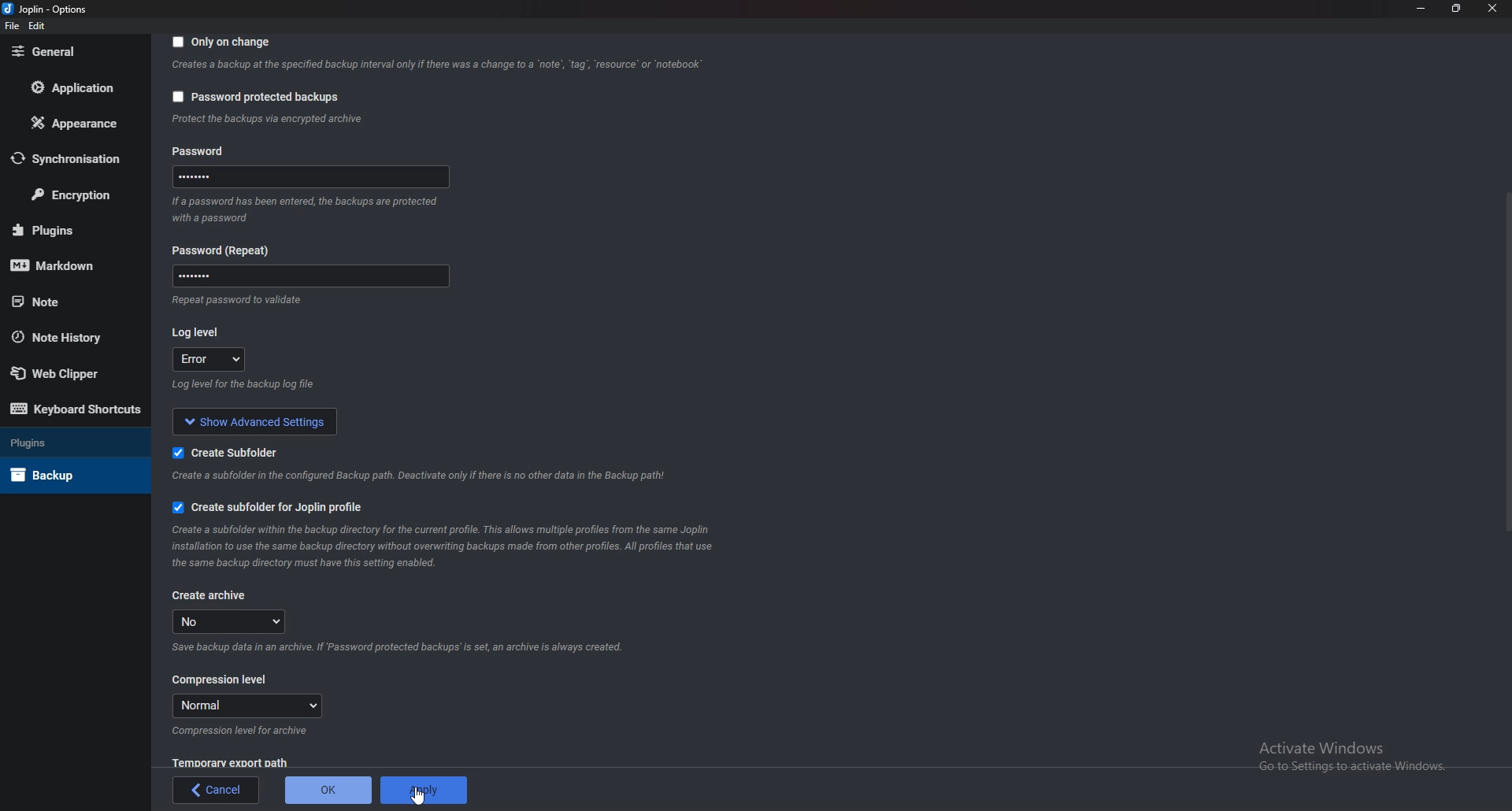 This screenshot has height=811, width=1512. What do you see at coordinates (234, 299) in the screenshot?
I see `Info` at bounding box center [234, 299].